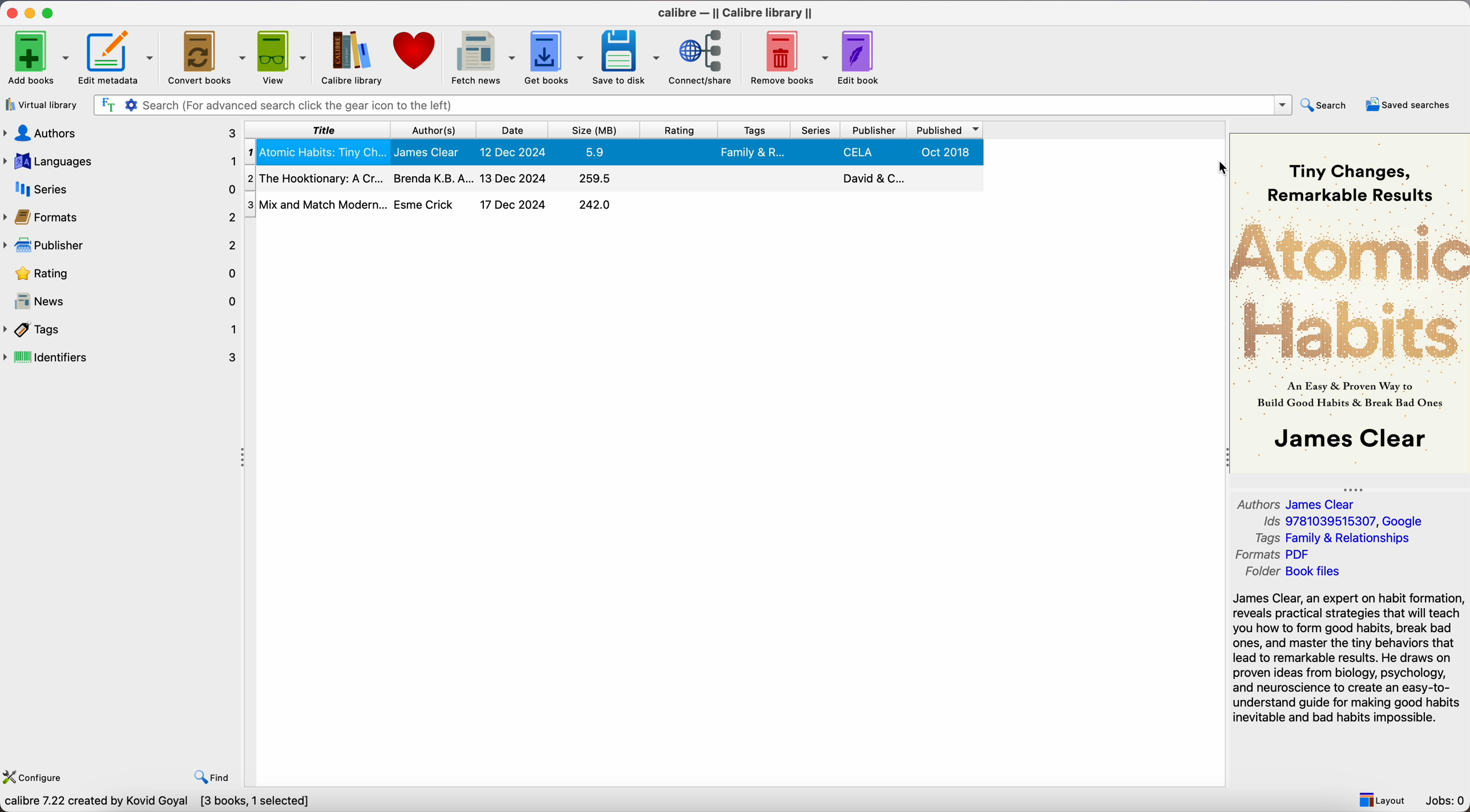 Image resolution: width=1470 pixels, height=812 pixels. What do you see at coordinates (691, 106) in the screenshot?
I see `search bar` at bounding box center [691, 106].